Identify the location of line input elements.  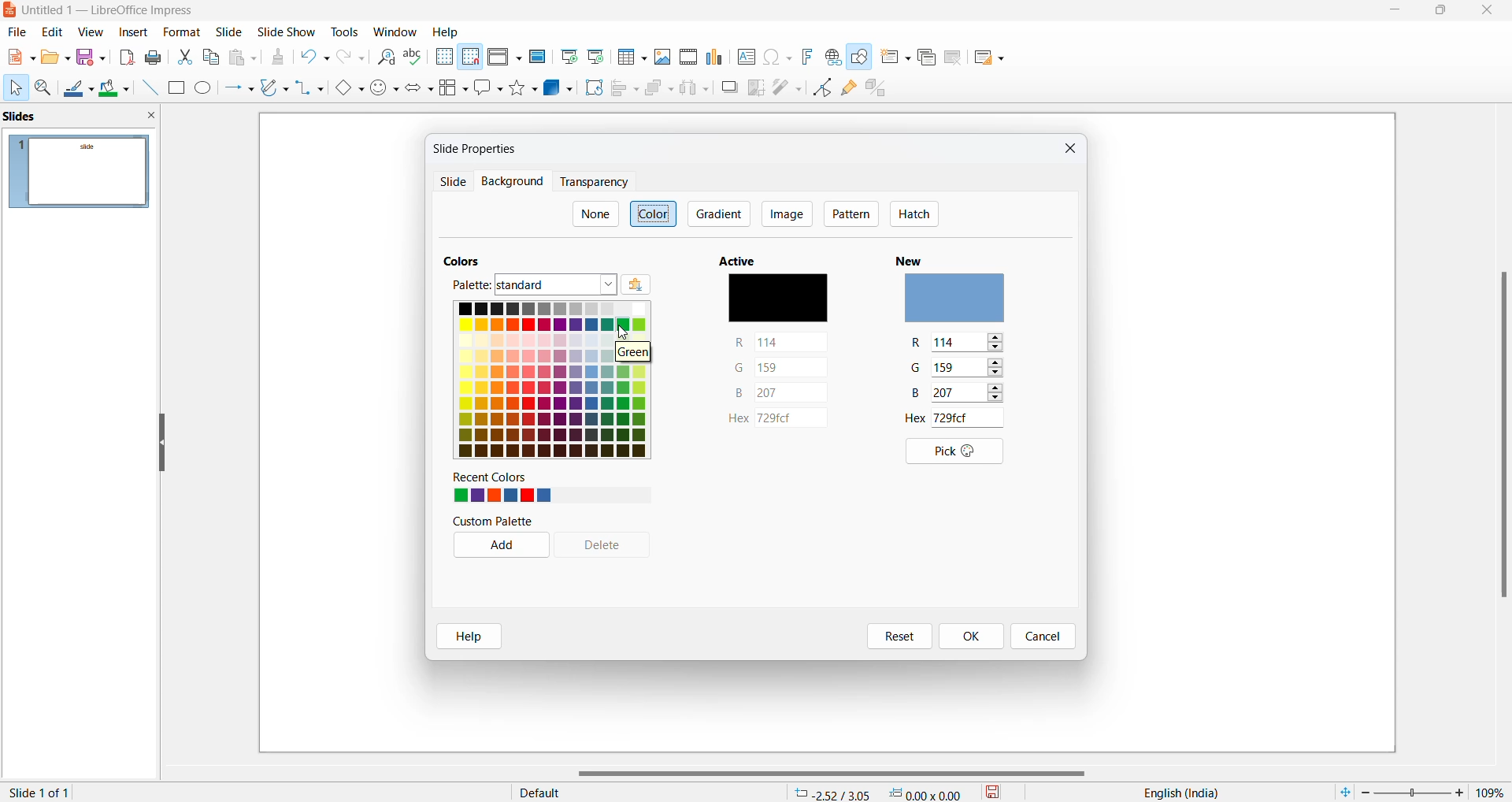
(148, 88).